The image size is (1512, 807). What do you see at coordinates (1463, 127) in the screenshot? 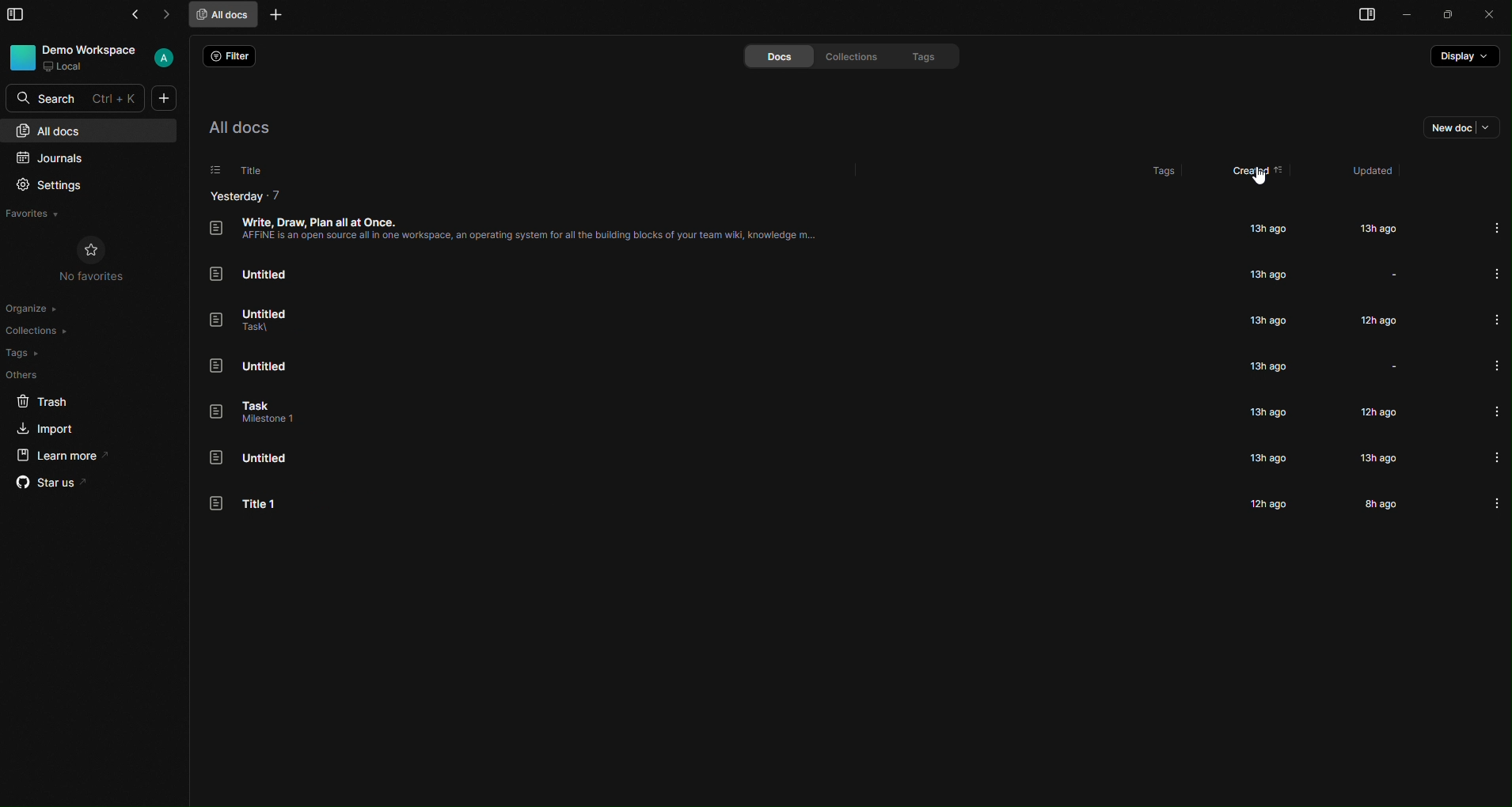
I see `new doc` at bounding box center [1463, 127].